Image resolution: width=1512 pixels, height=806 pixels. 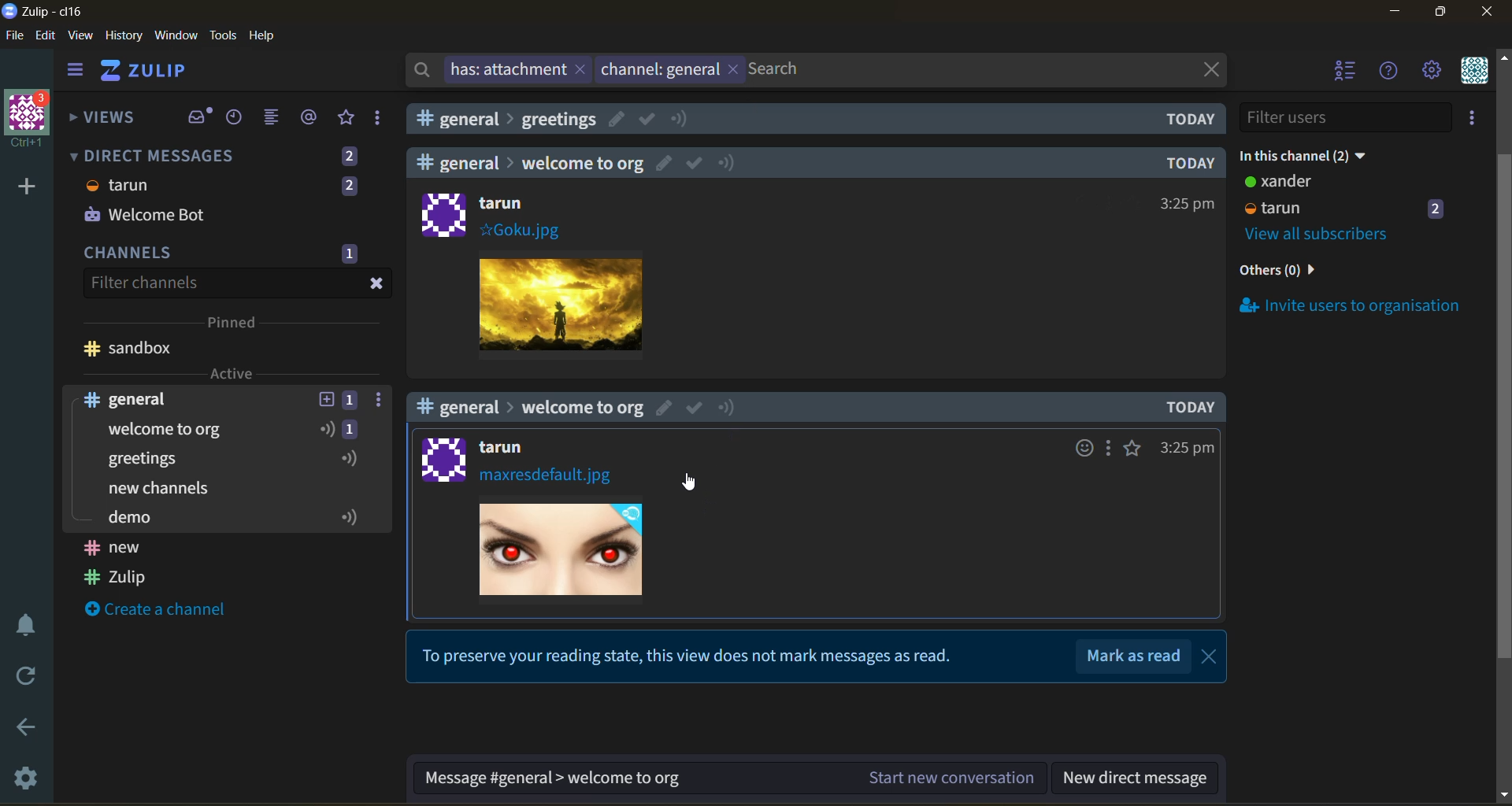 I want to click on emojis, so click(x=1083, y=448).